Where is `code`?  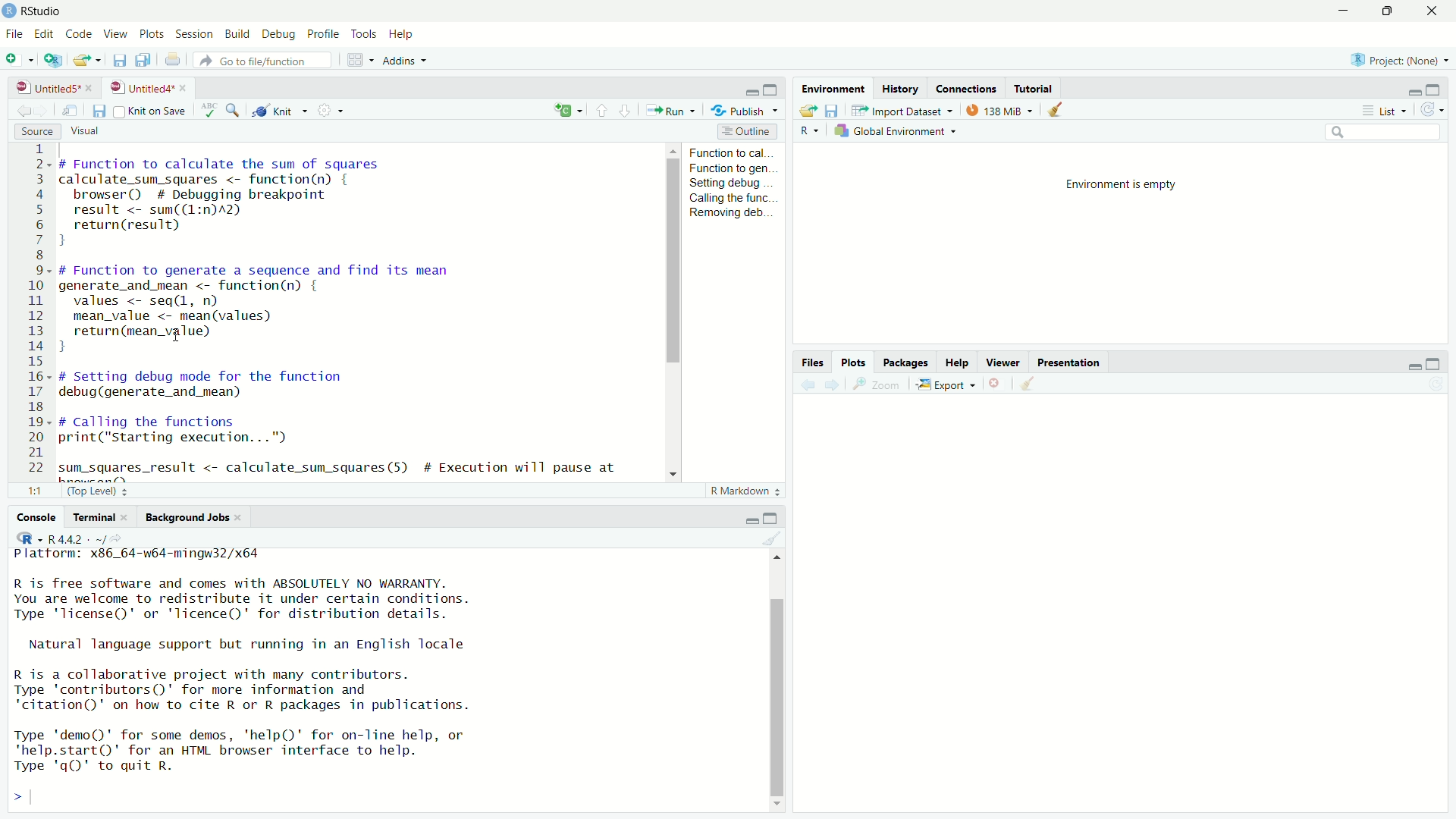
code is located at coordinates (81, 32).